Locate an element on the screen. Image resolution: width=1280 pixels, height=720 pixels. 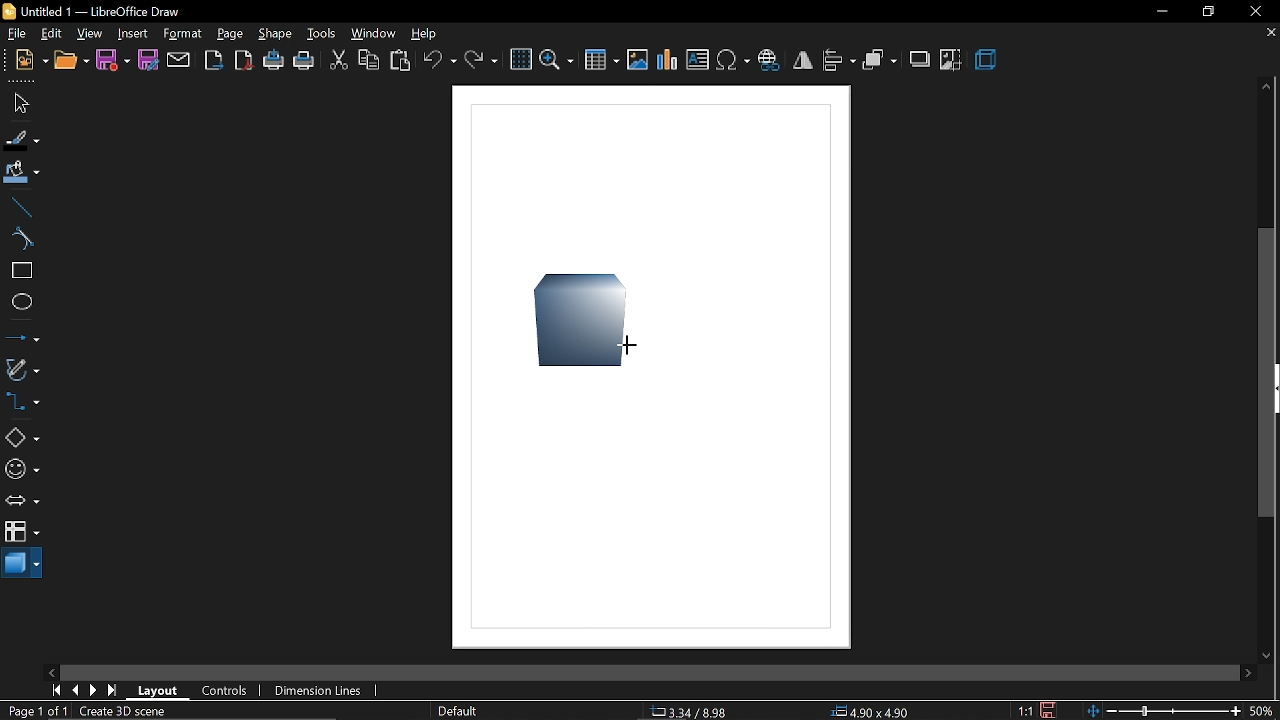
current zoom is located at coordinates (1263, 711).